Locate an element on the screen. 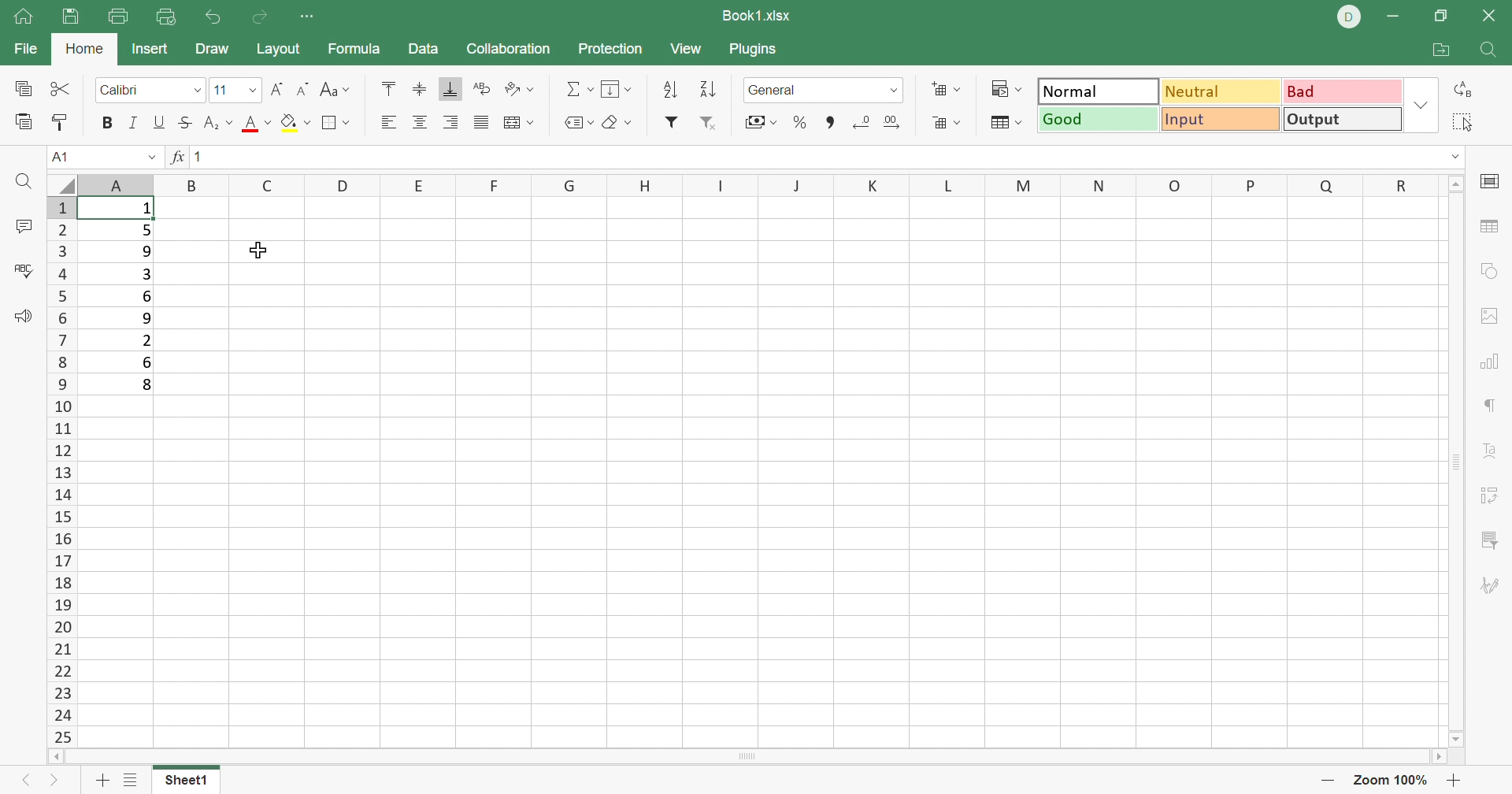 The height and width of the screenshot is (794, 1512). Open file location is located at coordinates (1445, 48).